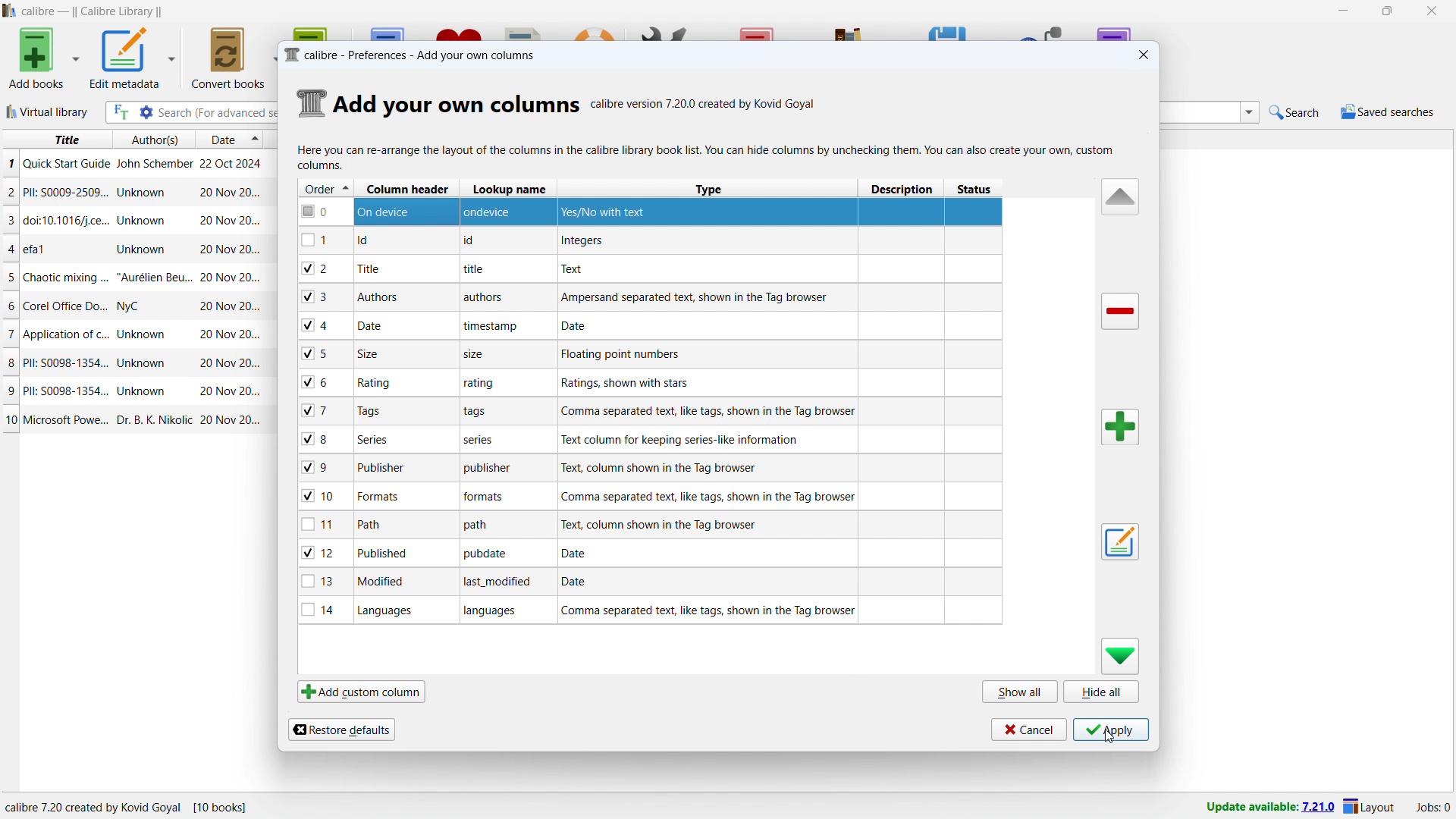 The image size is (1456, 819). What do you see at coordinates (1434, 808) in the screenshot?
I see `active jobs` at bounding box center [1434, 808].